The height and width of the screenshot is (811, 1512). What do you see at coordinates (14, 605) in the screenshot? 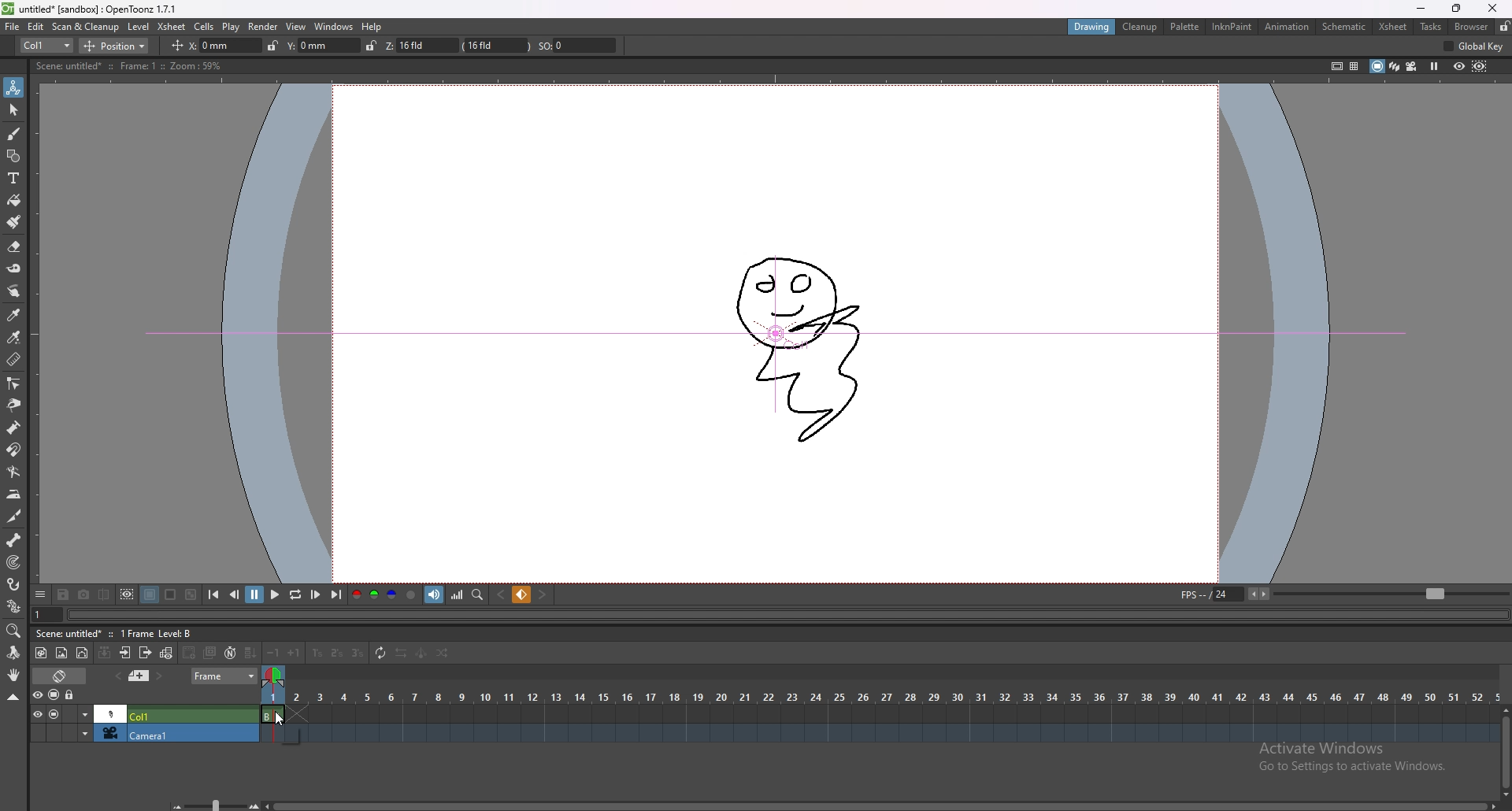
I see `plastic` at bounding box center [14, 605].